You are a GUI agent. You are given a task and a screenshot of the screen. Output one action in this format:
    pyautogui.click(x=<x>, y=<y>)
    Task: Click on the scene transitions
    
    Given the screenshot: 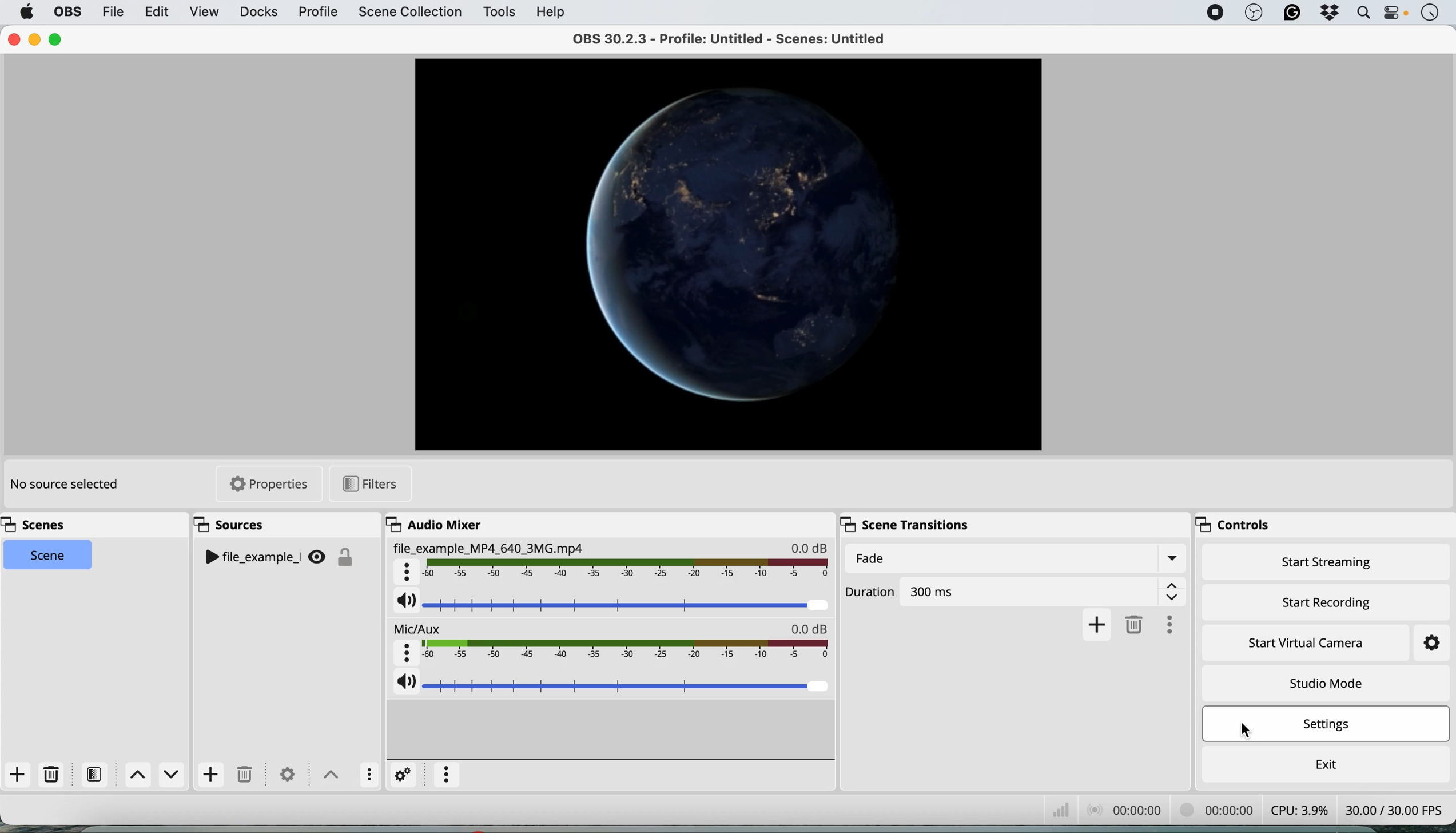 What is the action you would take?
    pyautogui.click(x=908, y=523)
    